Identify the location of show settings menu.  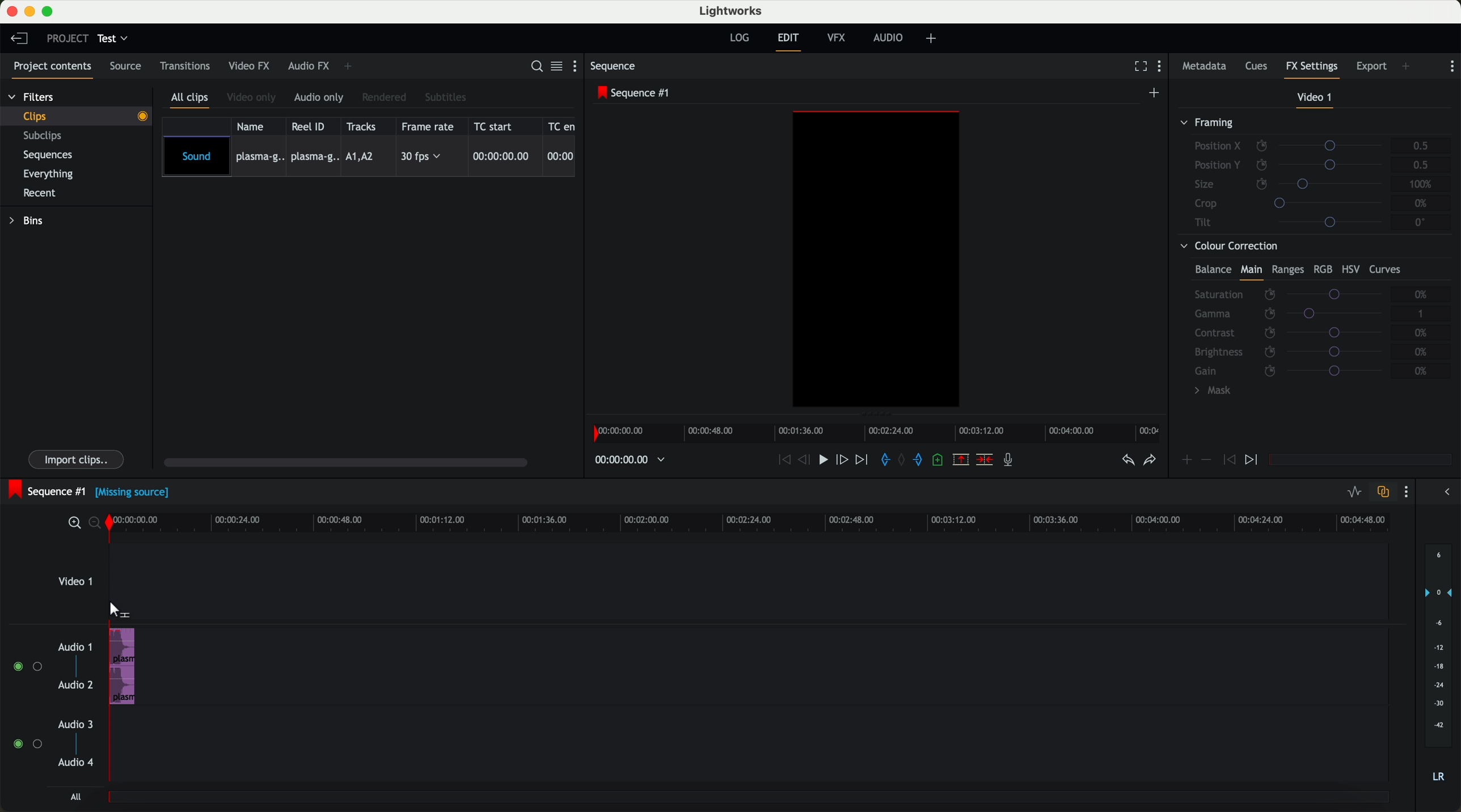
(577, 68).